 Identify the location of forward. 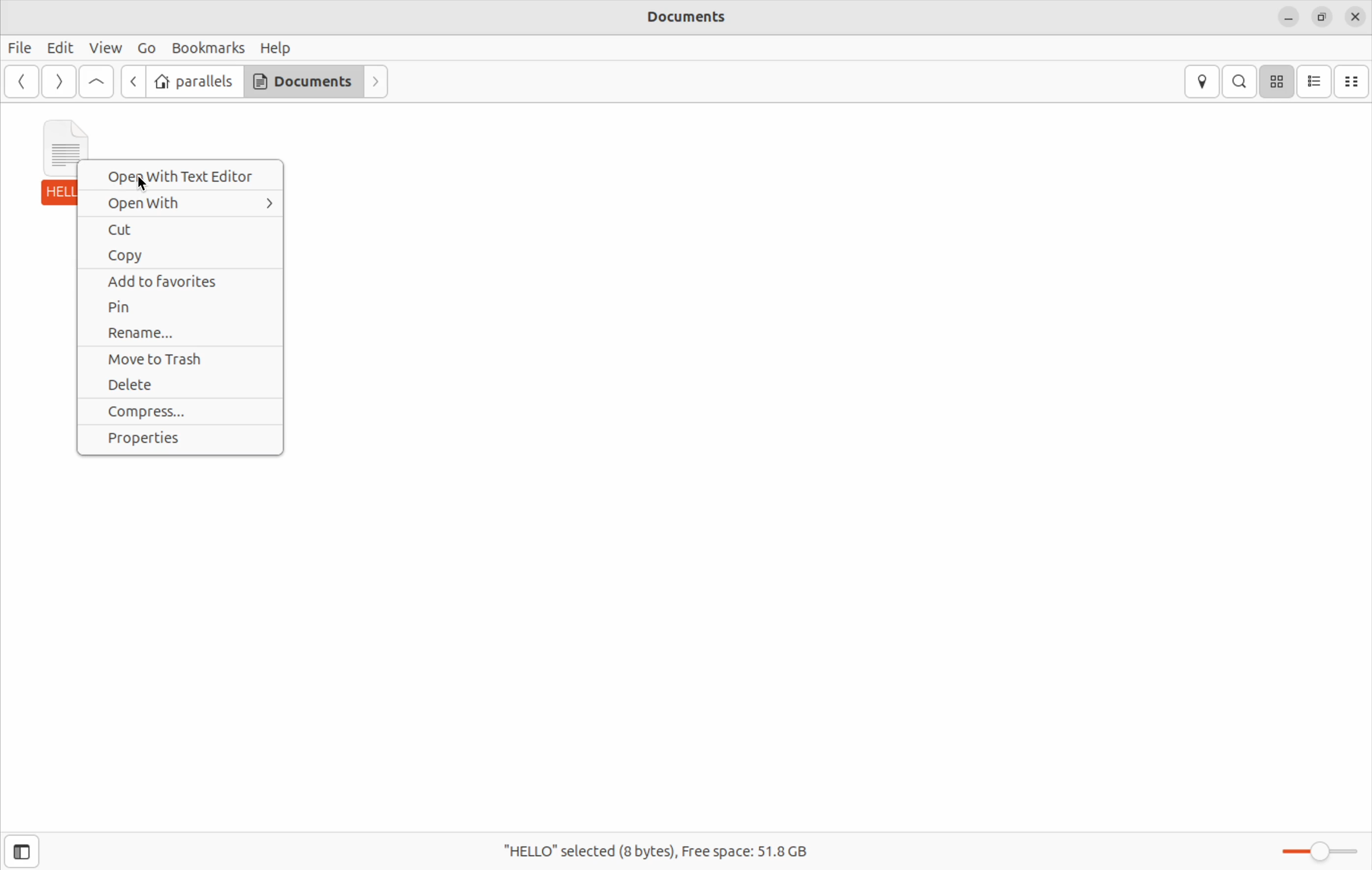
(57, 81).